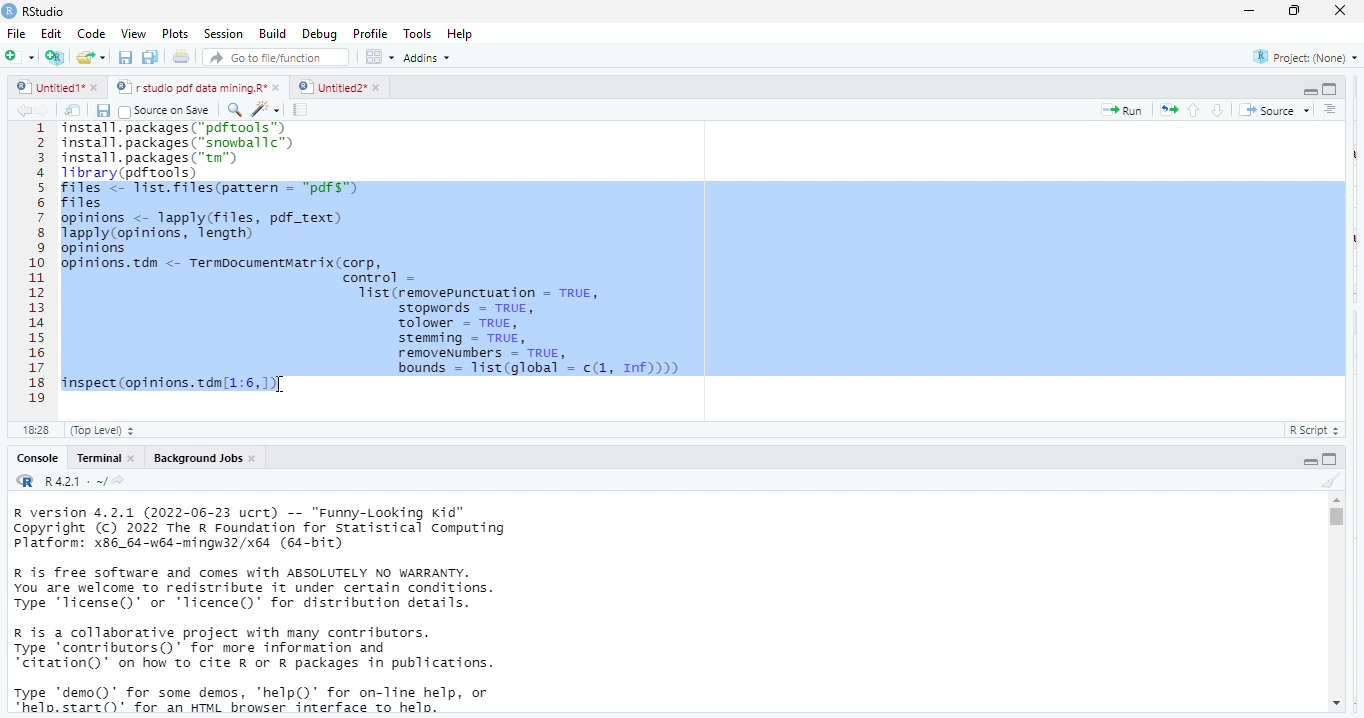  What do you see at coordinates (168, 110) in the screenshot?
I see `source on save` at bounding box center [168, 110].